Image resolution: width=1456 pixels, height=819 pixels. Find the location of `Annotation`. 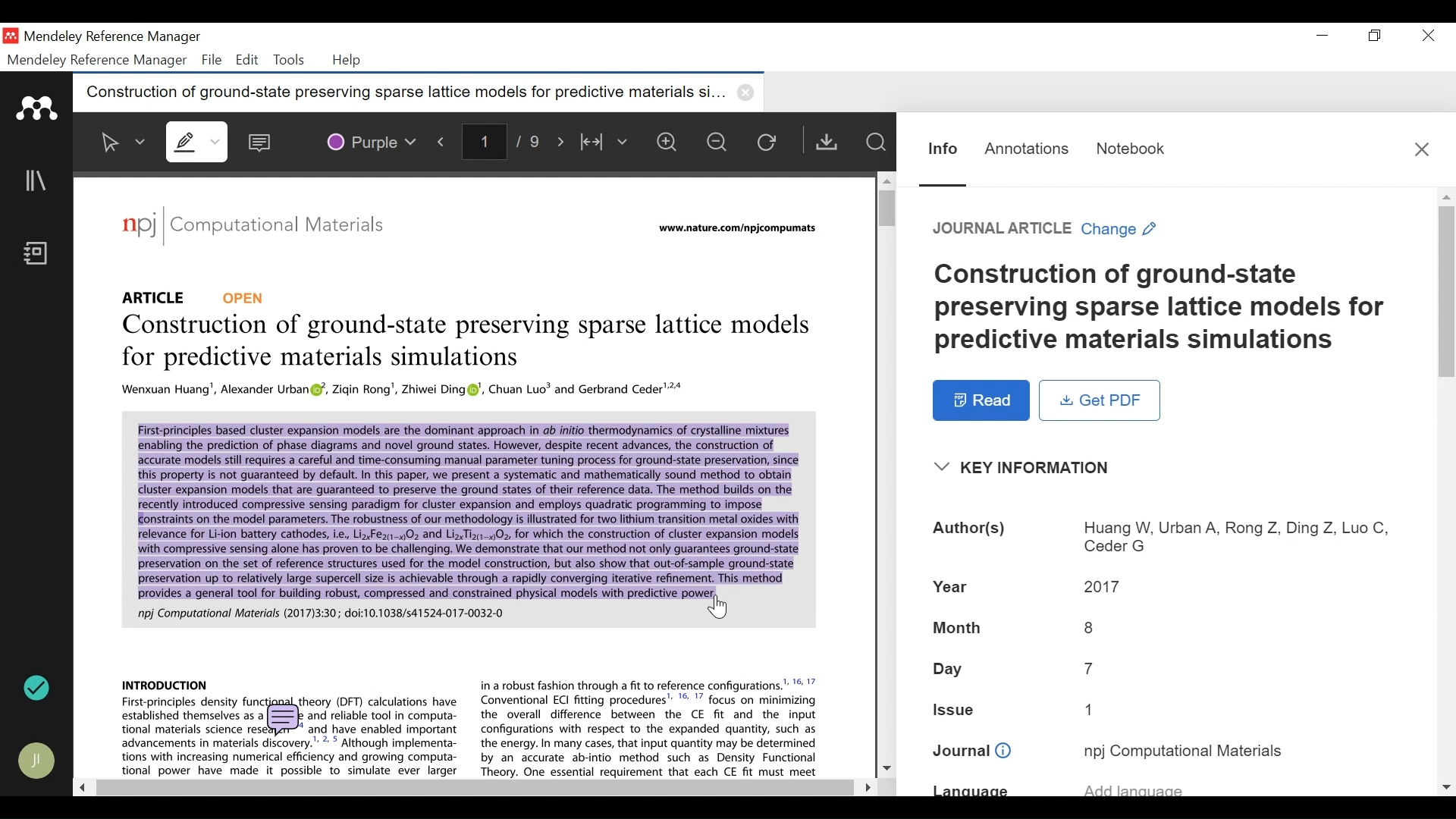

Annotation is located at coordinates (1027, 149).